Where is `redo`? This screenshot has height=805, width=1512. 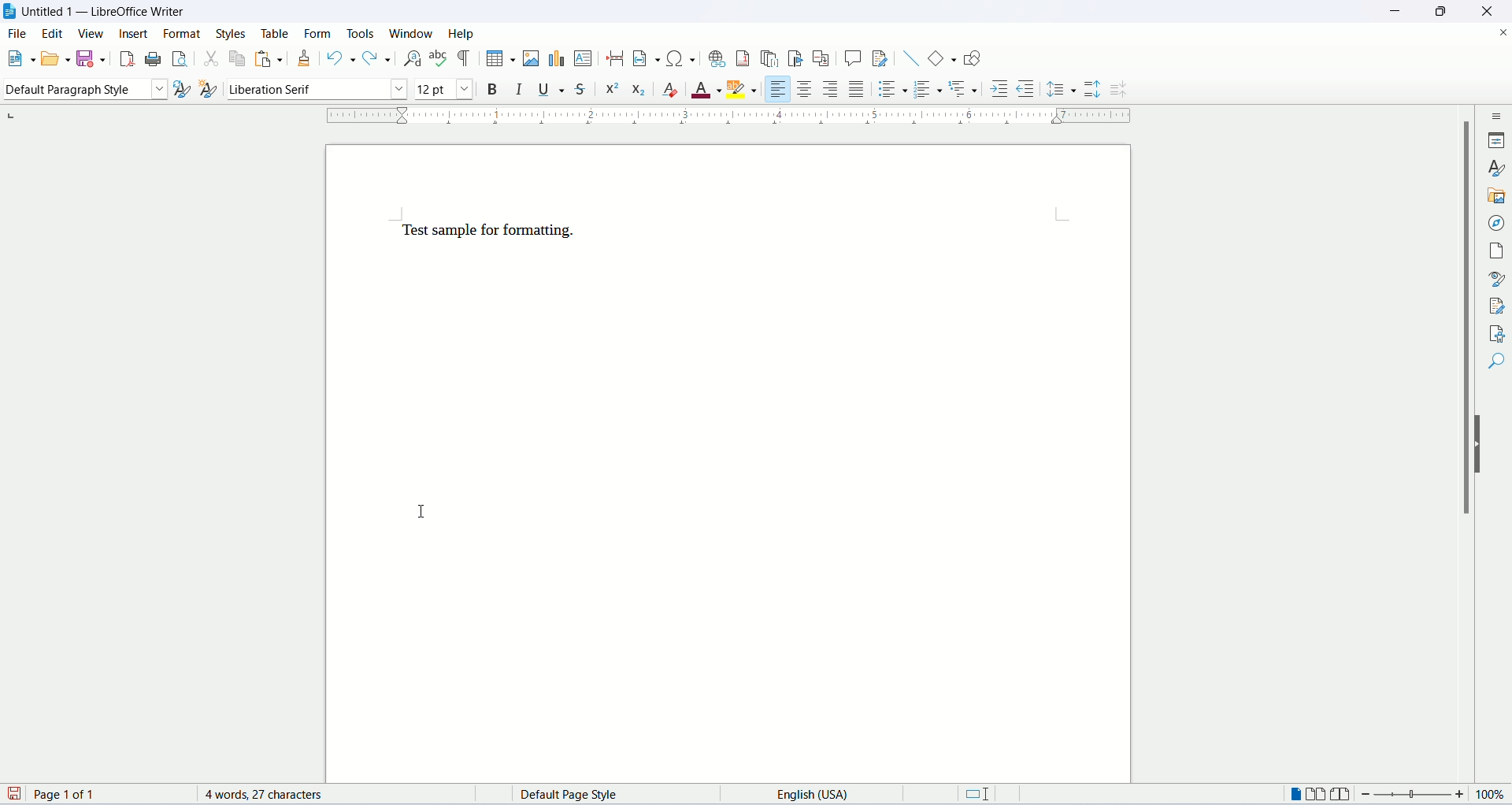 redo is located at coordinates (376, 60).